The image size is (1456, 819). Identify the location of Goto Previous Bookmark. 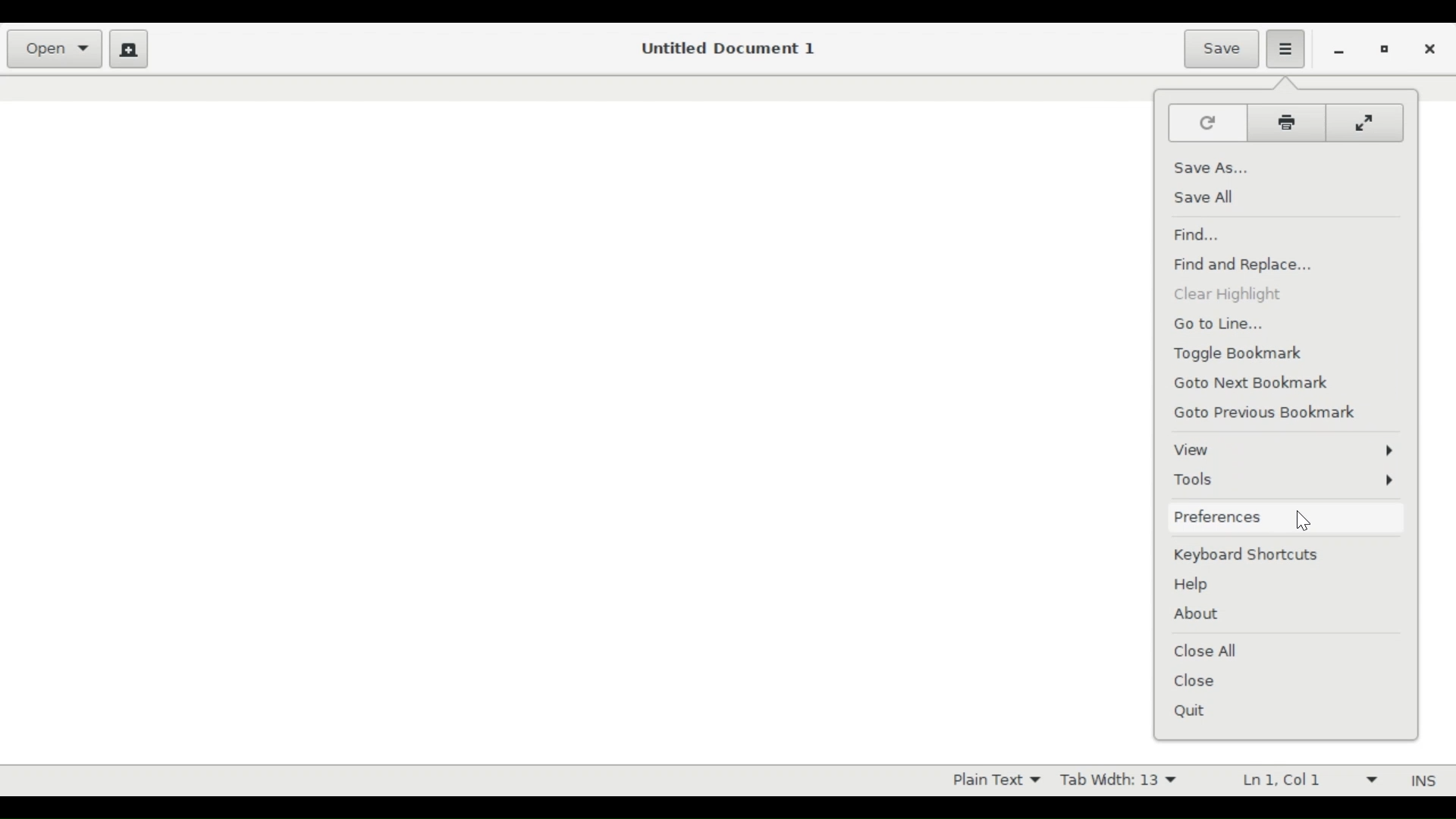
(1275, 414).